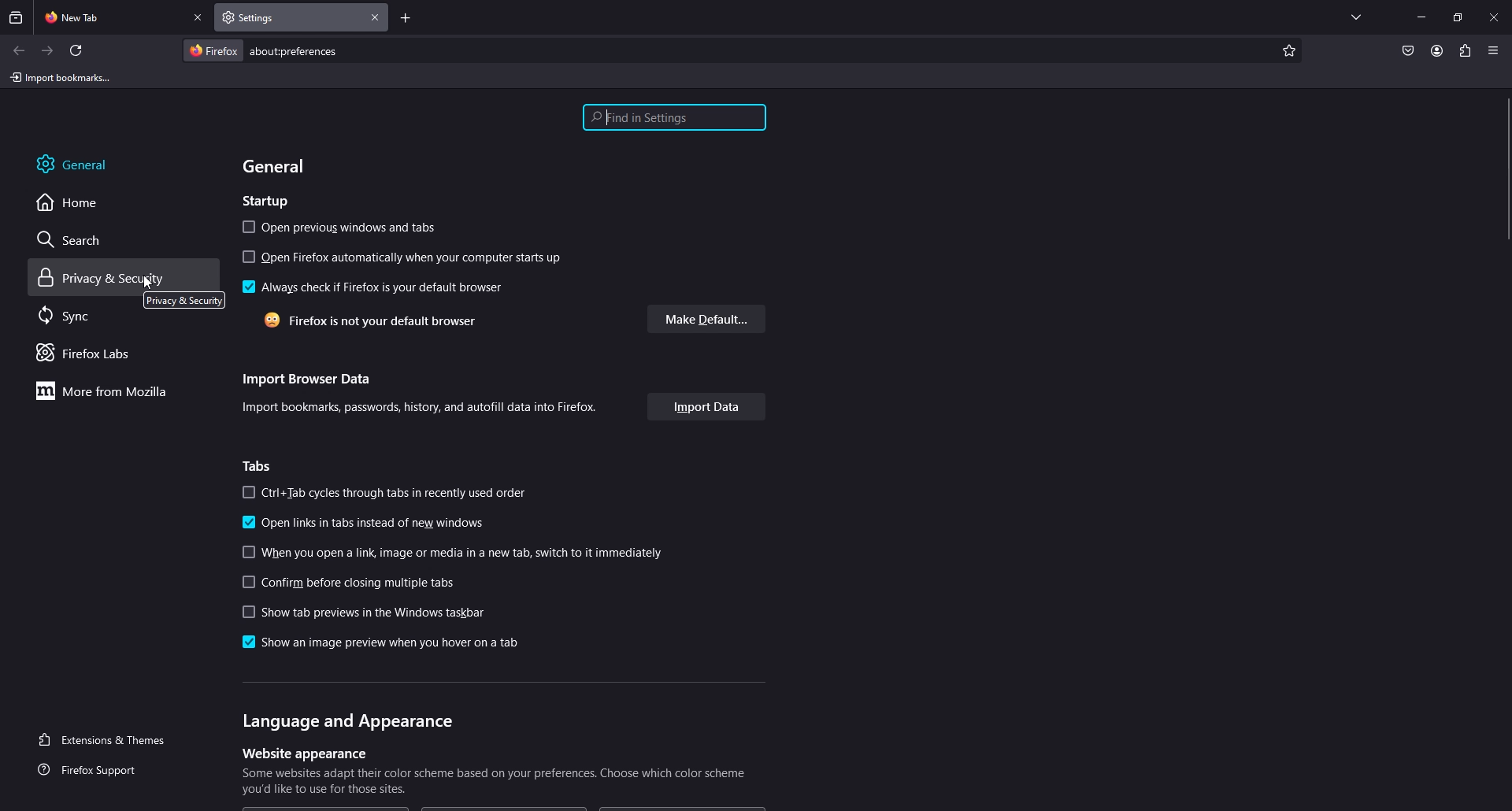 The width and height of the screenshot is (1512, 811). What do you see at coordinates (213, 50) in the screenshot?
I see `firefox logo` at bounding box center [213, 50].